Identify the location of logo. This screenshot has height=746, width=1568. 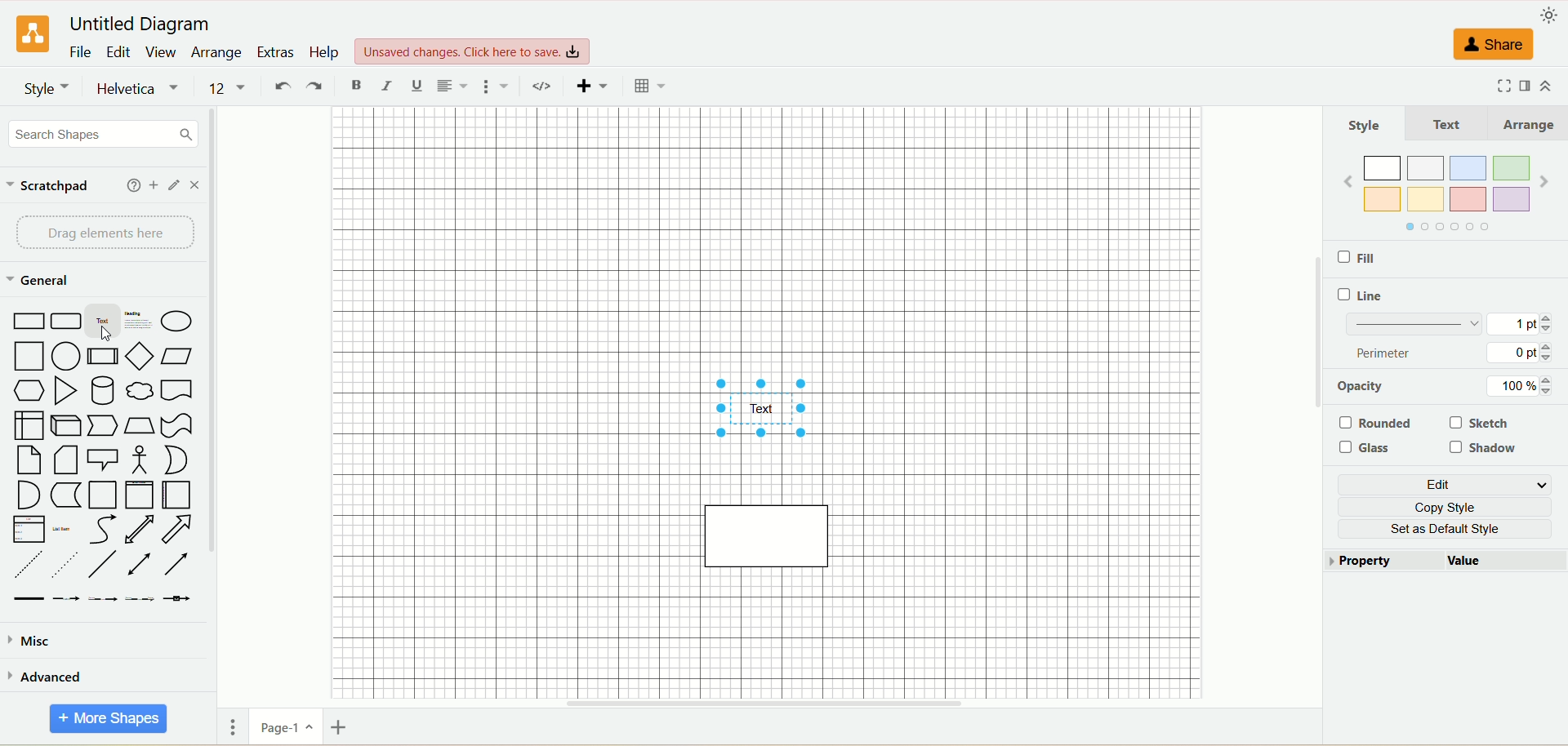
(30, 33).